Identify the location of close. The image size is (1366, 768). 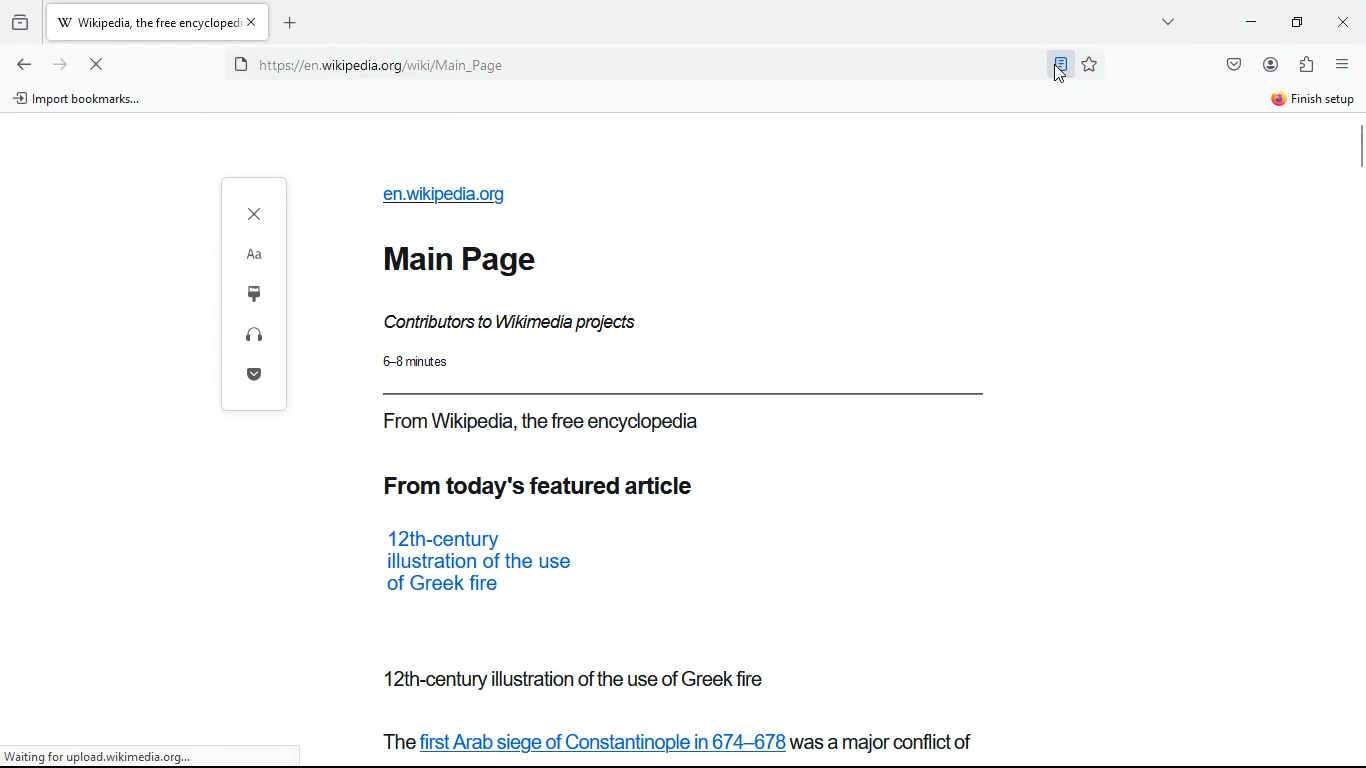
(1344, 22).